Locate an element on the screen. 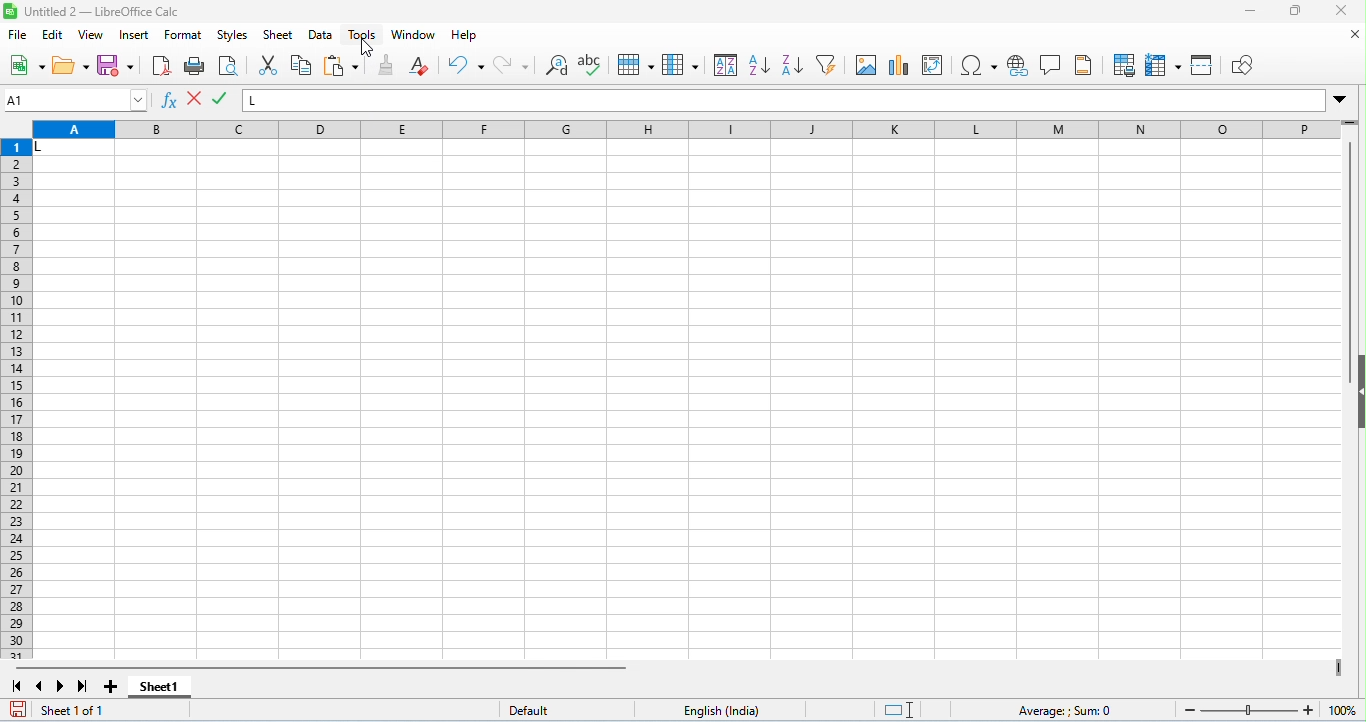 This screenshot has width=1366, height=722. open is located at coordinates (71, 66).